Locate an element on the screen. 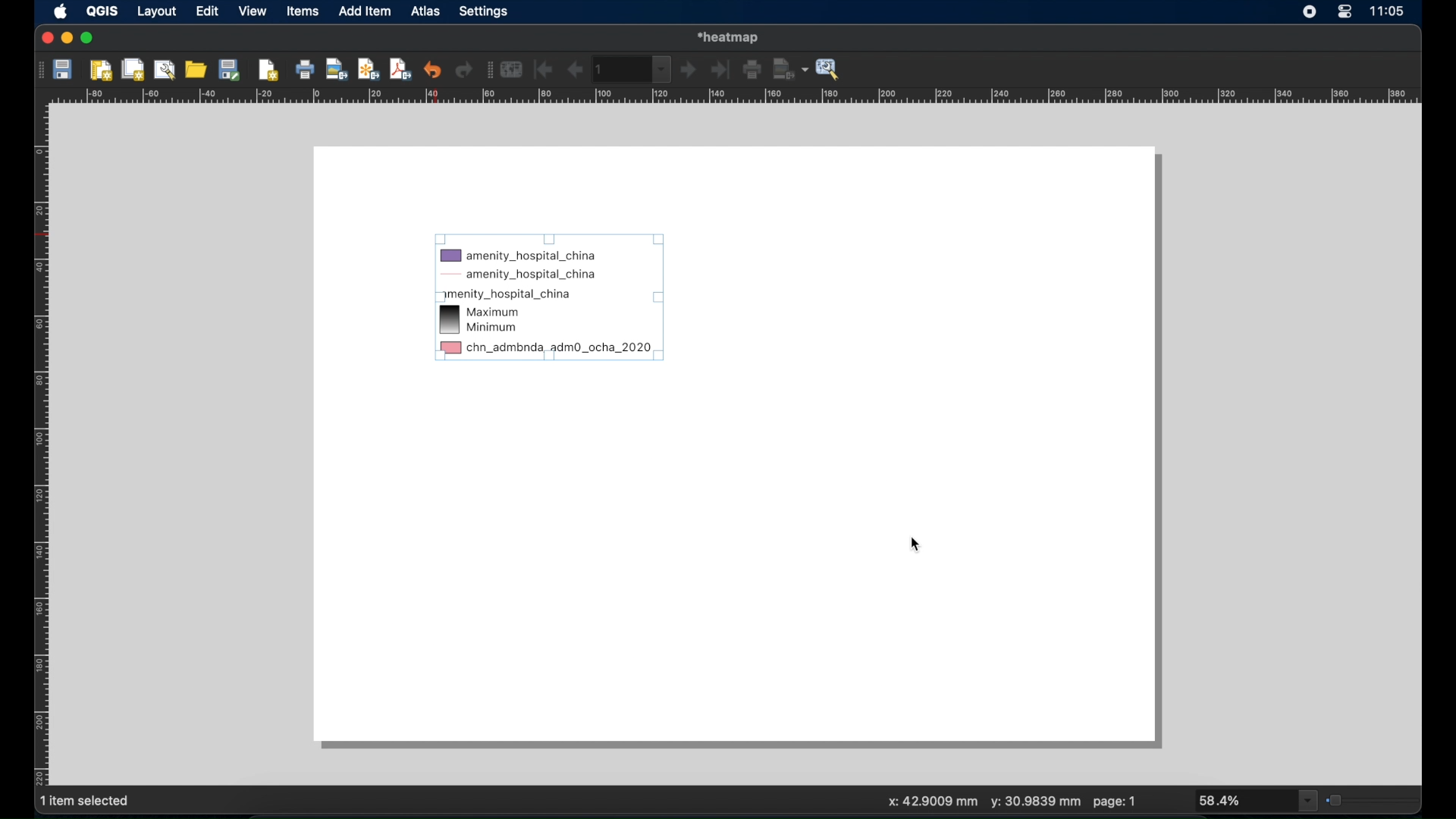 This screenshot has width=1456, height=819. apple icon is located at coordinates (59, 11).